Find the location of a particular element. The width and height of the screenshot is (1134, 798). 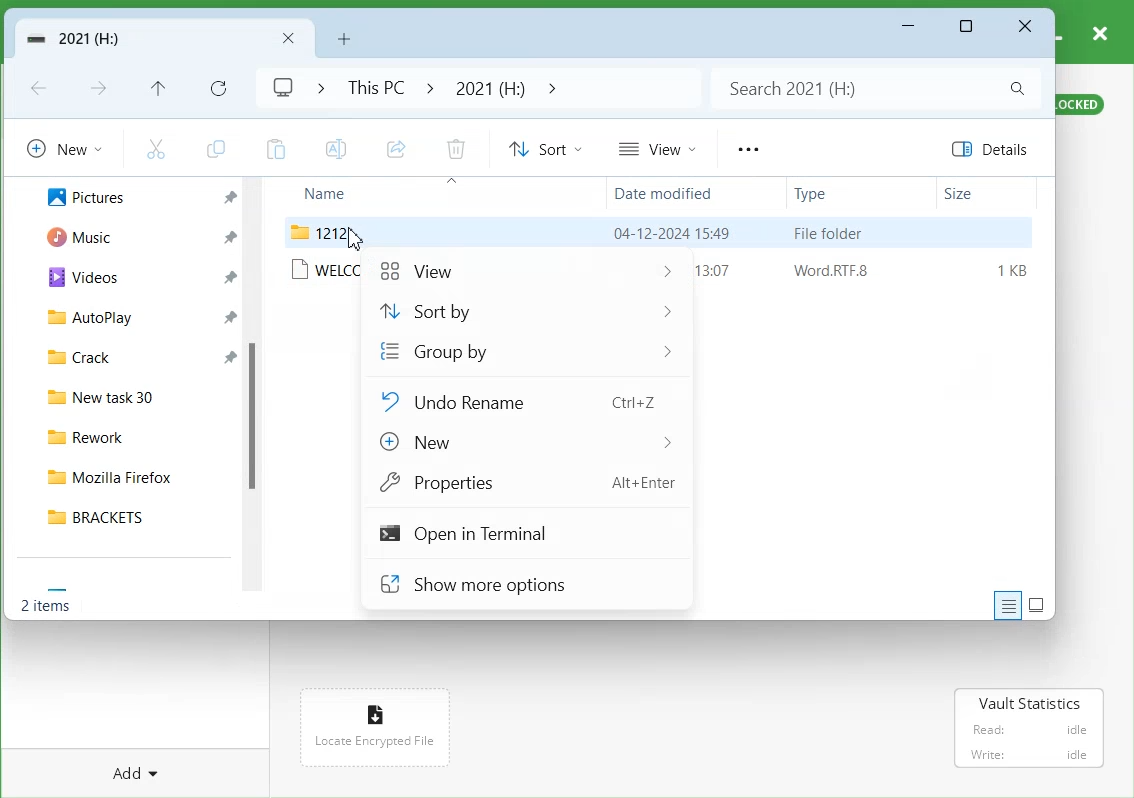

‘Write: idle is located at coordinates (1027, 755).